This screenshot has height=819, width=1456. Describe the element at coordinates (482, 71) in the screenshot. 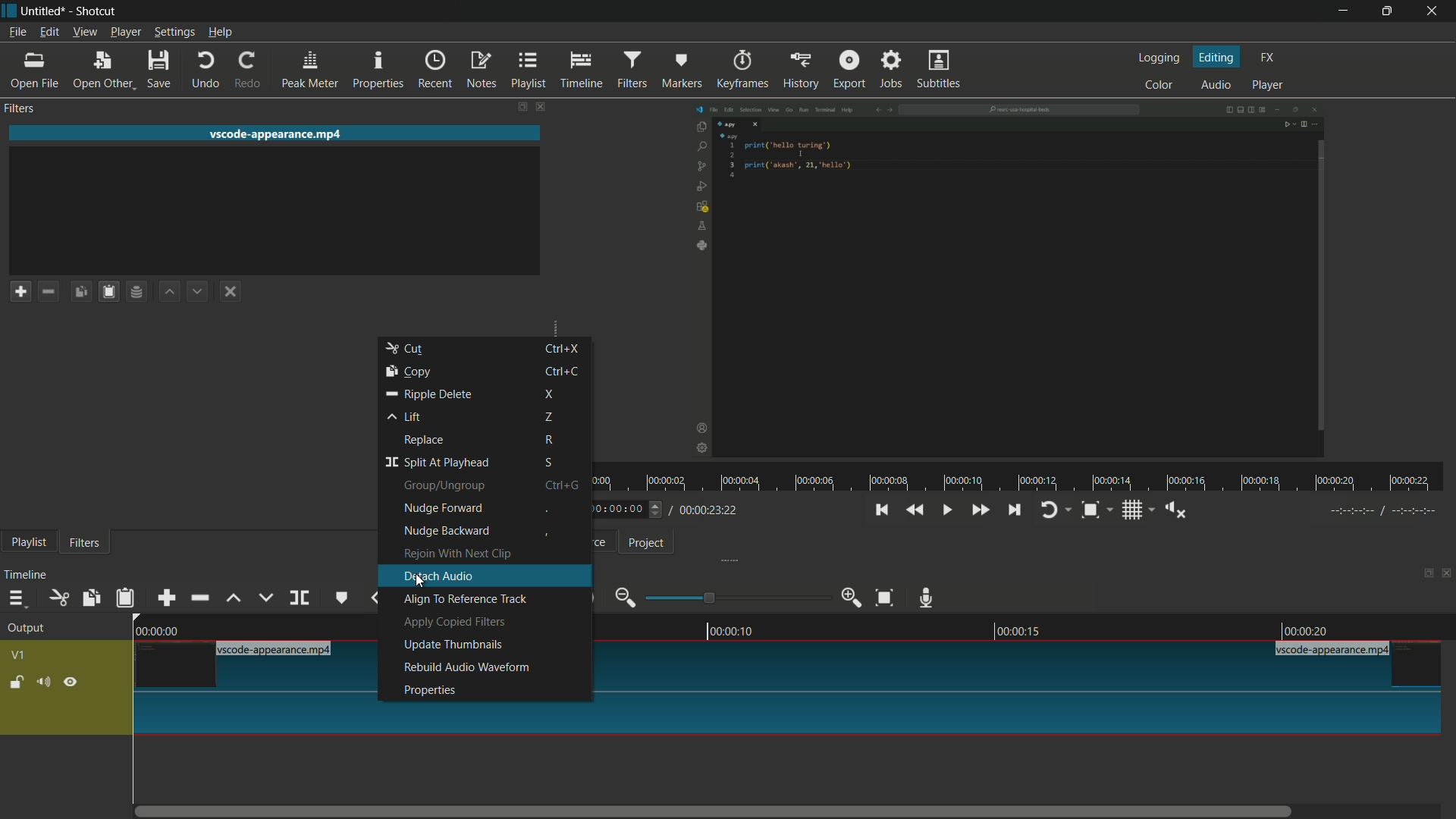

I see `notes` at that location.